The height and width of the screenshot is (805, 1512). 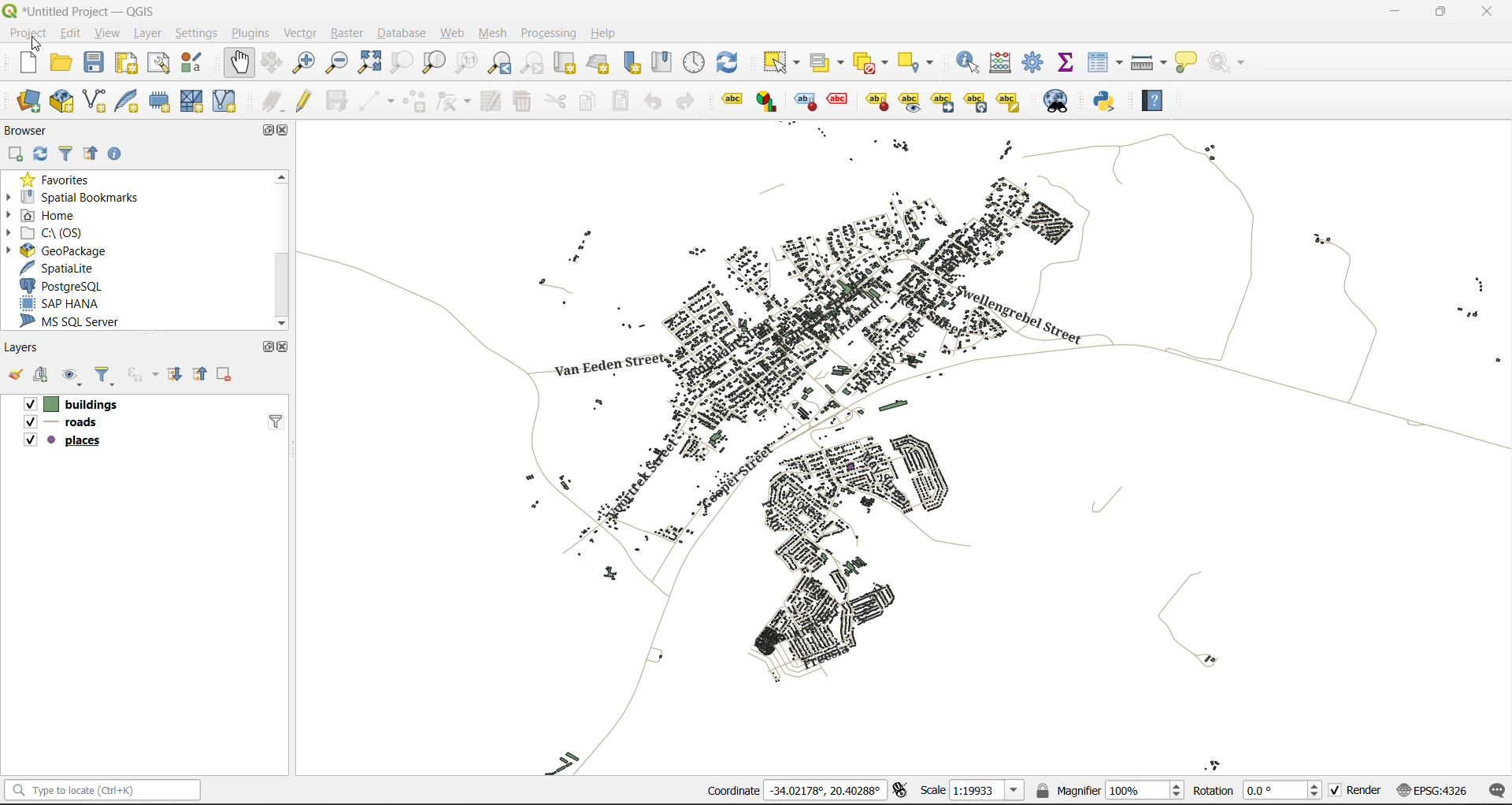 I want to click on maximize, so click(x=265, y=130).